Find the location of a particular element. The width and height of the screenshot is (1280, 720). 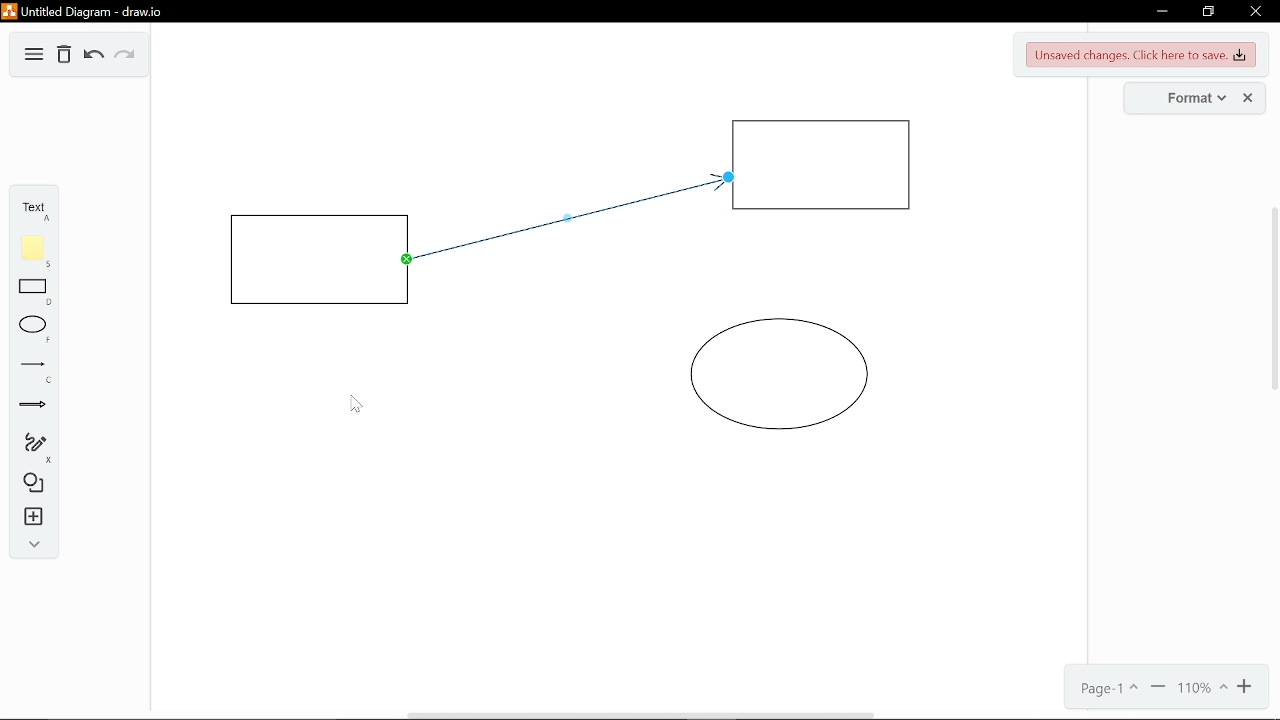

Diagram is located at coordinates (32, 56).